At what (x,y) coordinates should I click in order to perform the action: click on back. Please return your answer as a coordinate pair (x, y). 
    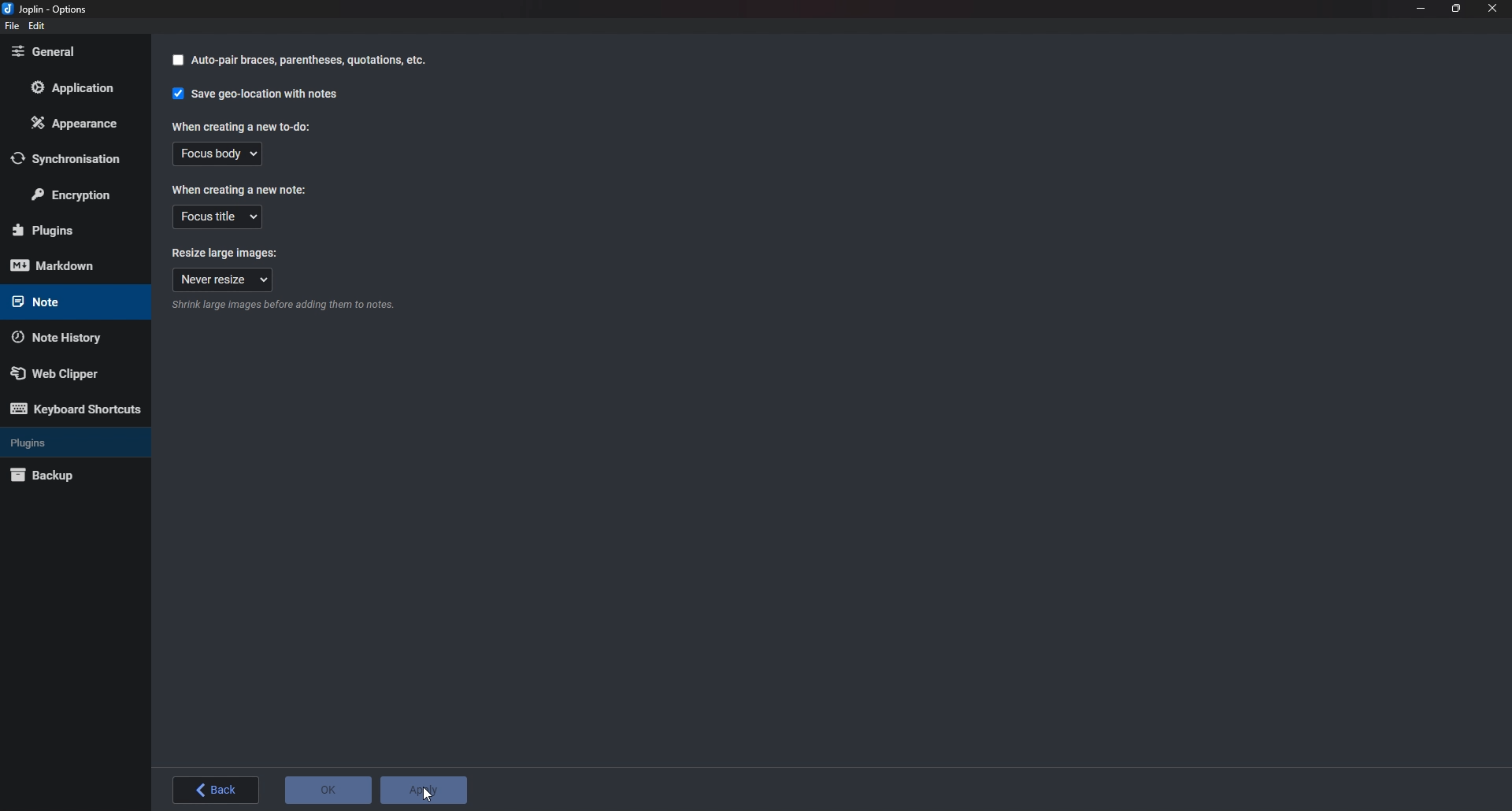
    Looking at the image, I should click on (218, 791).